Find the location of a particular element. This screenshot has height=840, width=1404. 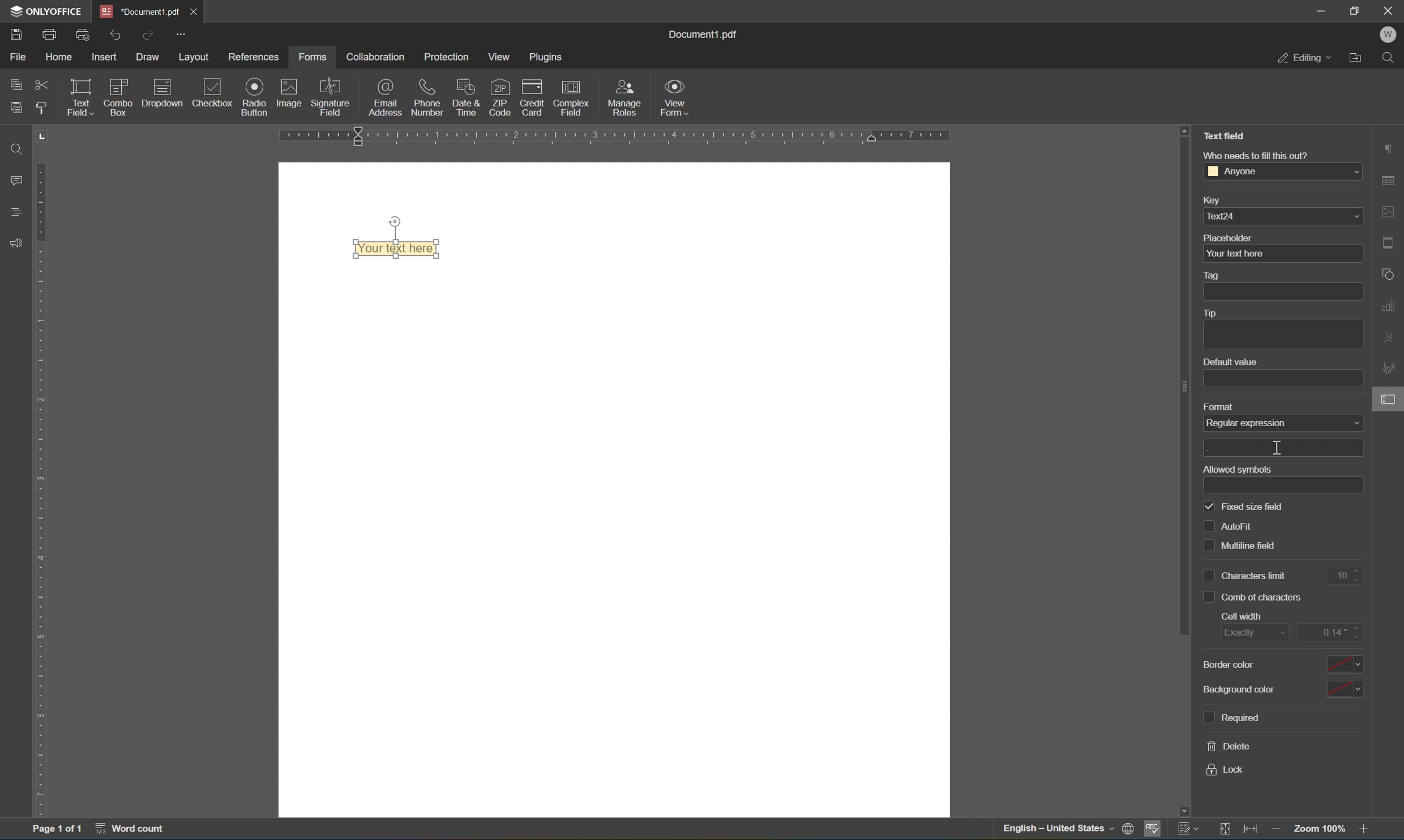

tag is located at coordinates (1214, 276).